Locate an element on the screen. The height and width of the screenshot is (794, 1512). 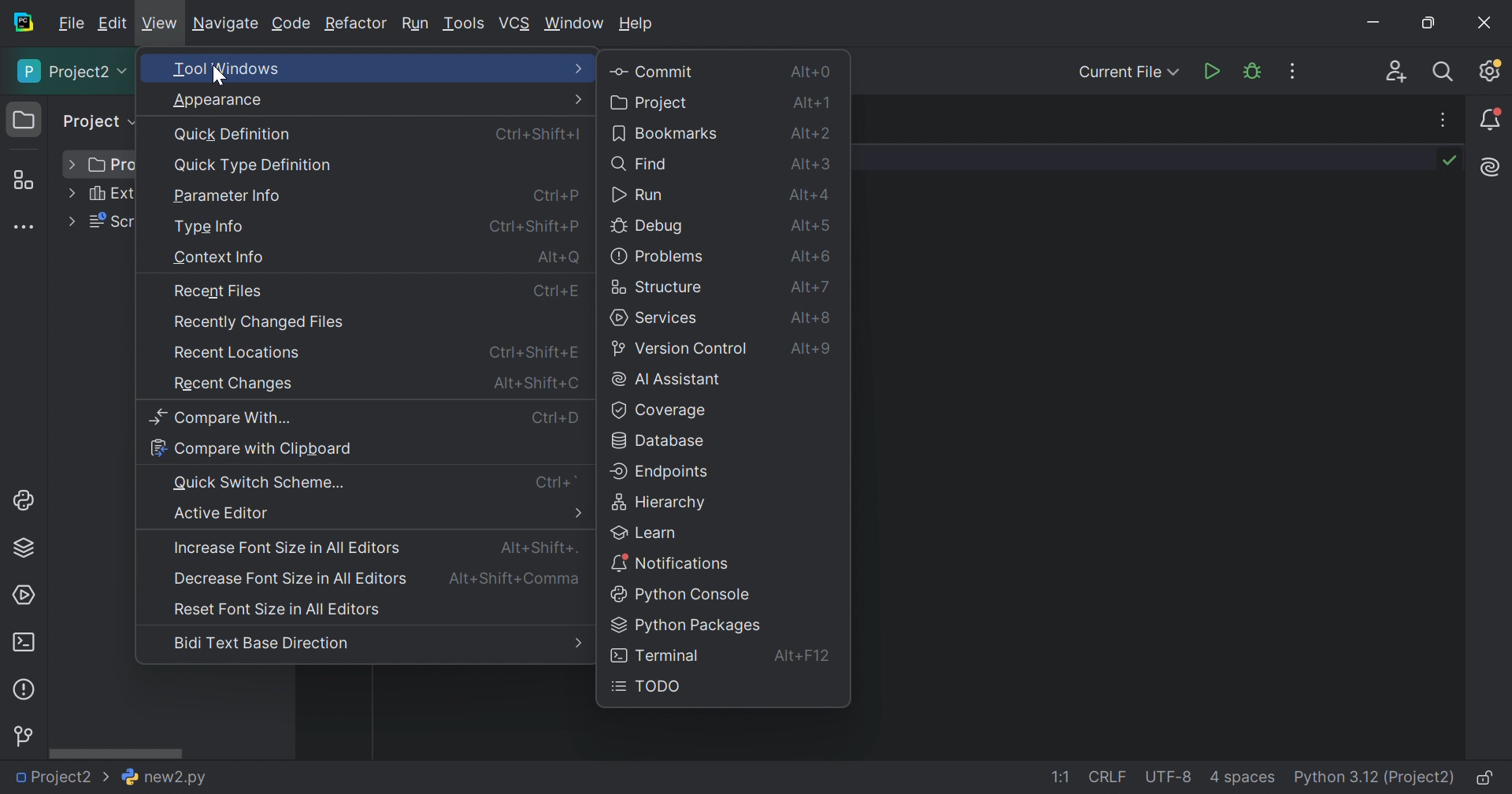
Quick switch scheme is located at coordinates (262, 484).